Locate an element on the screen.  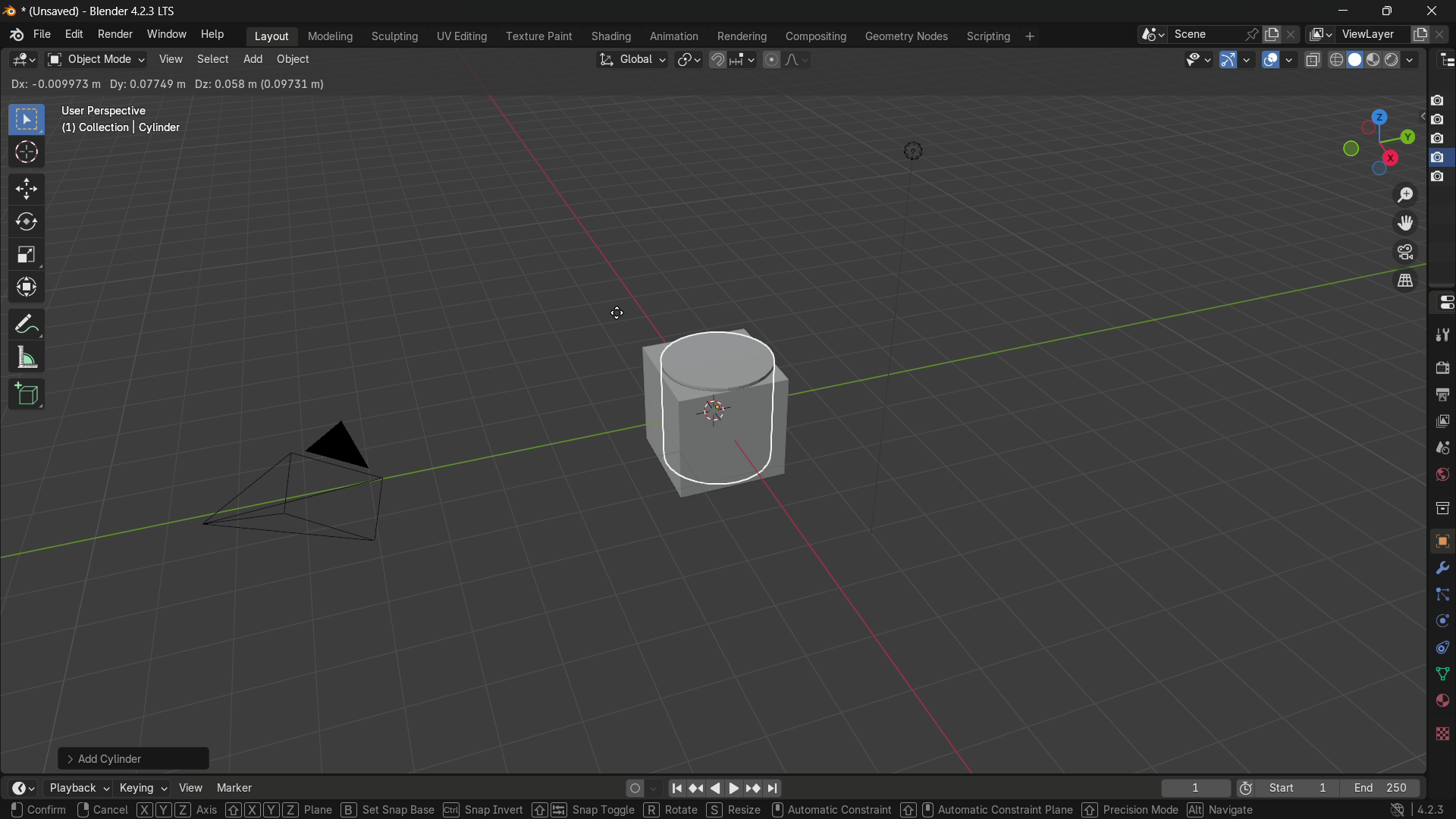
rendering menu is located at coordinates (742, 37).